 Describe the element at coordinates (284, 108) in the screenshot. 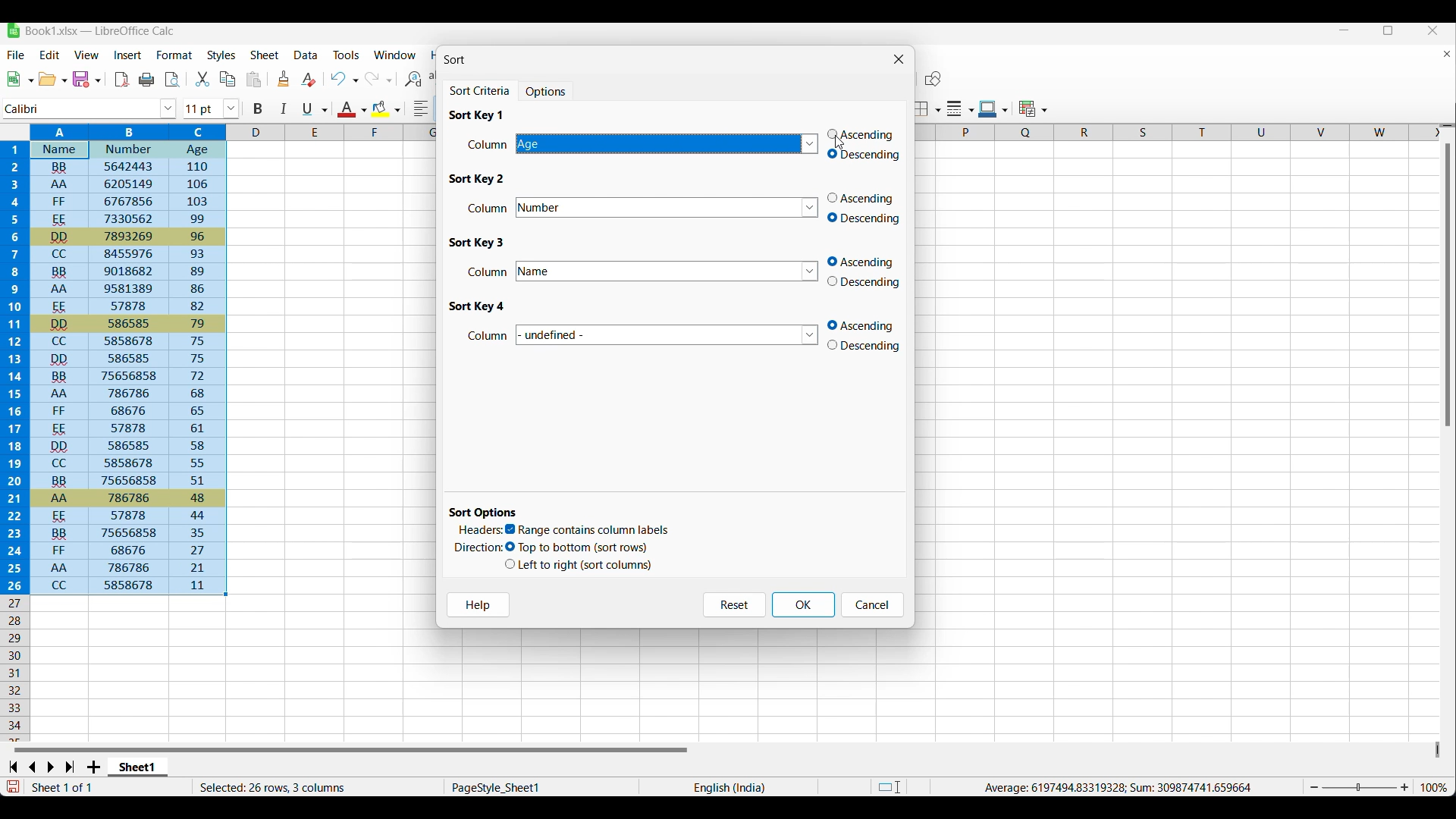

I see `Italic` at that location.